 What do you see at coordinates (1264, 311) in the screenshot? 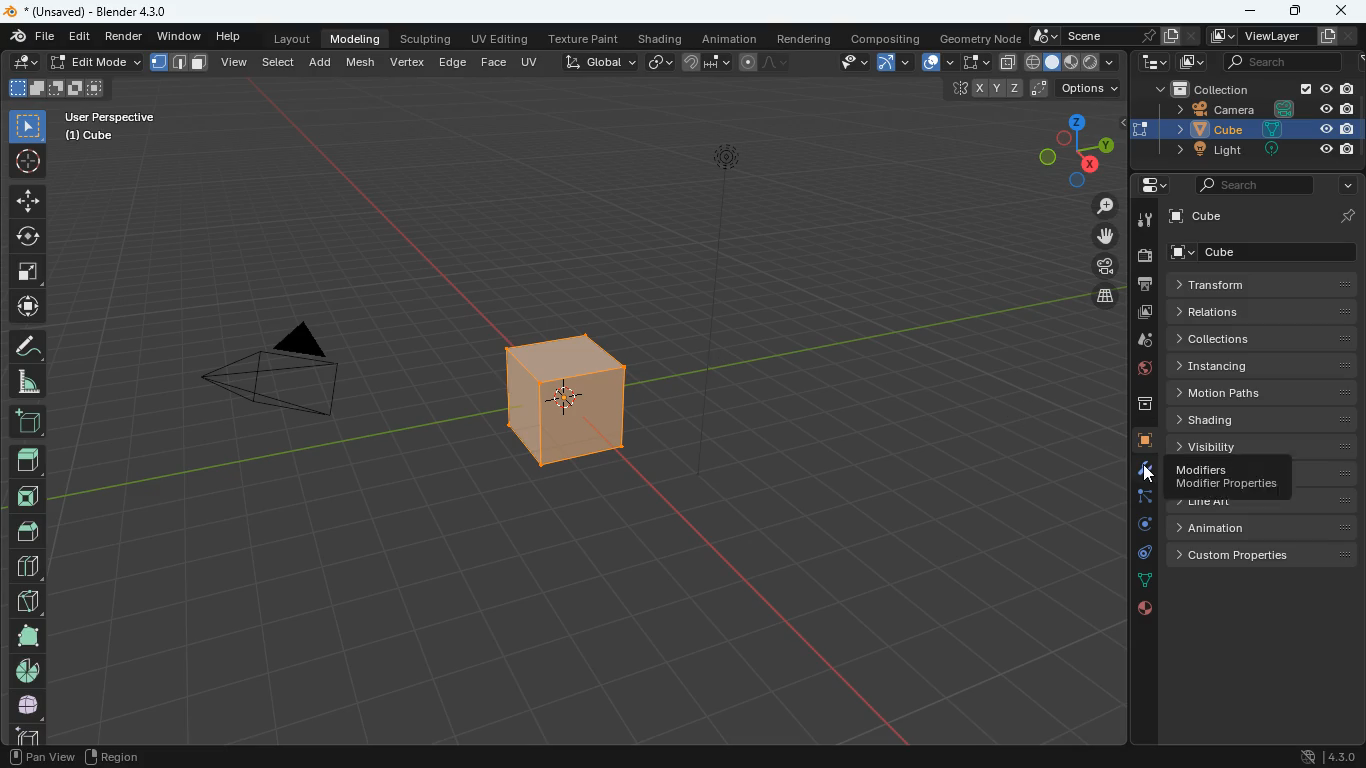
I see `relations` at bounding box center [1264, 311].